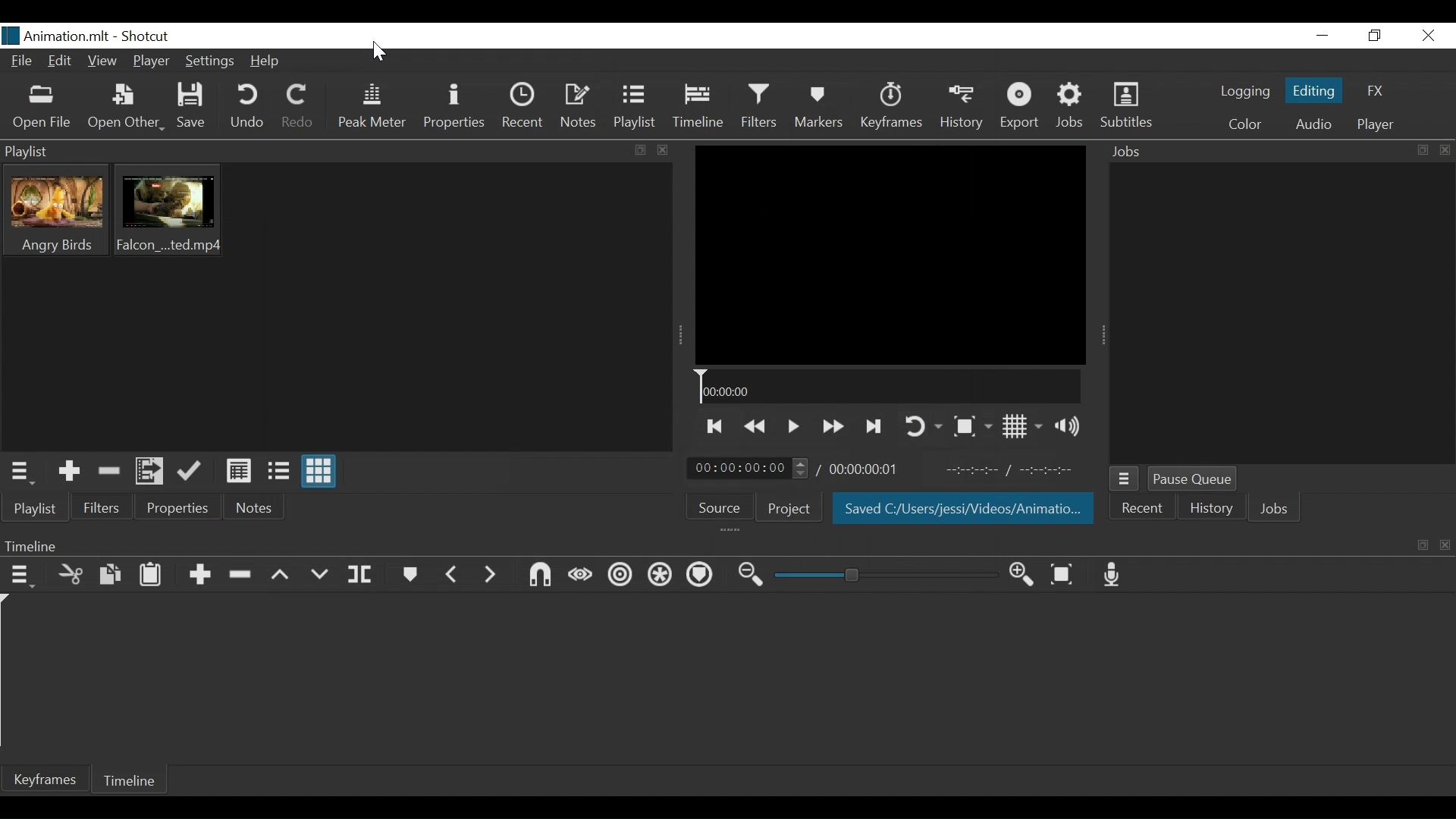  I want to click on logging, so click(1241, 93).